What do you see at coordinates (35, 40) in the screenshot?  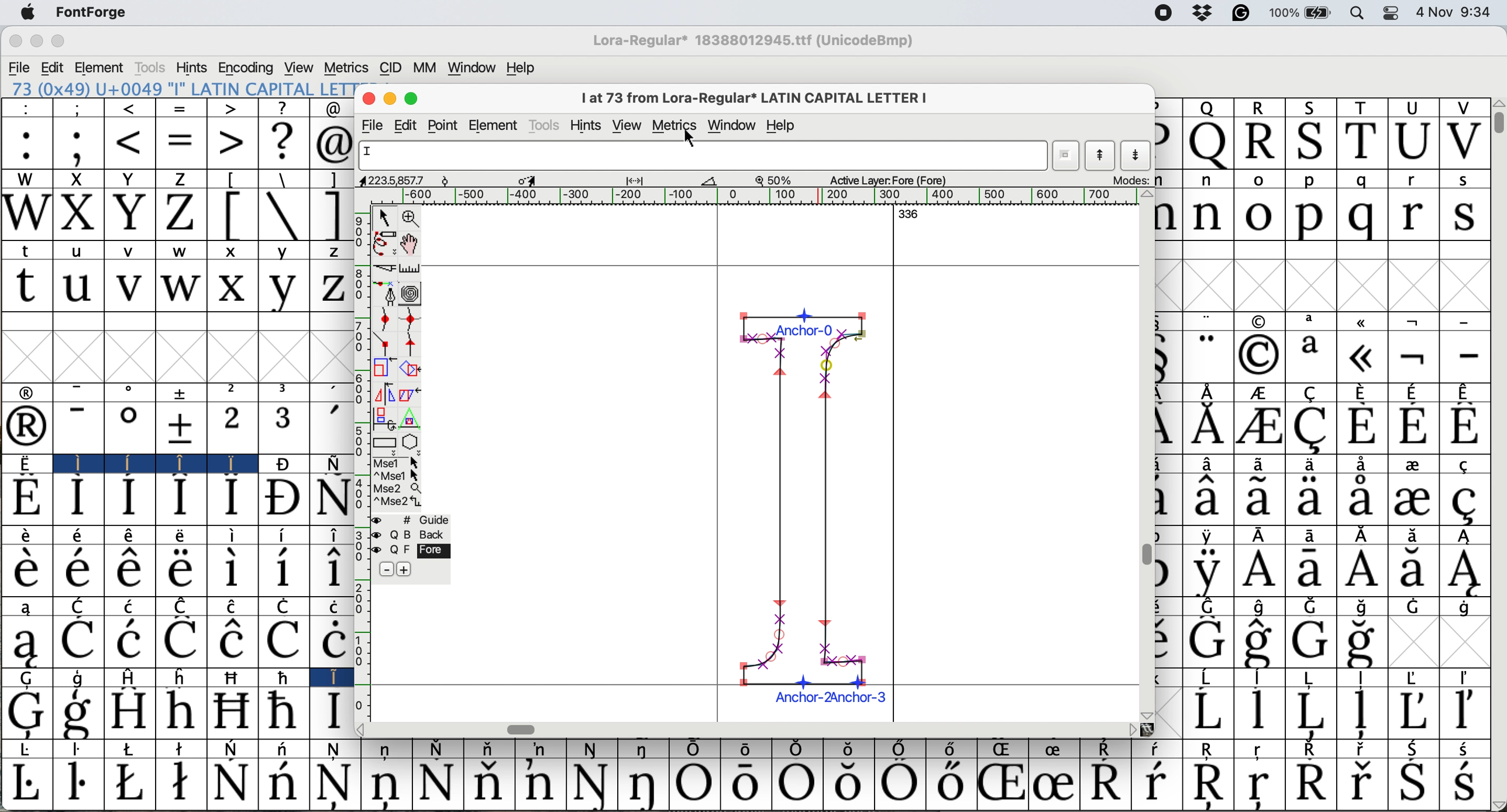 I see `minimize` at bounding box center [35, 40].